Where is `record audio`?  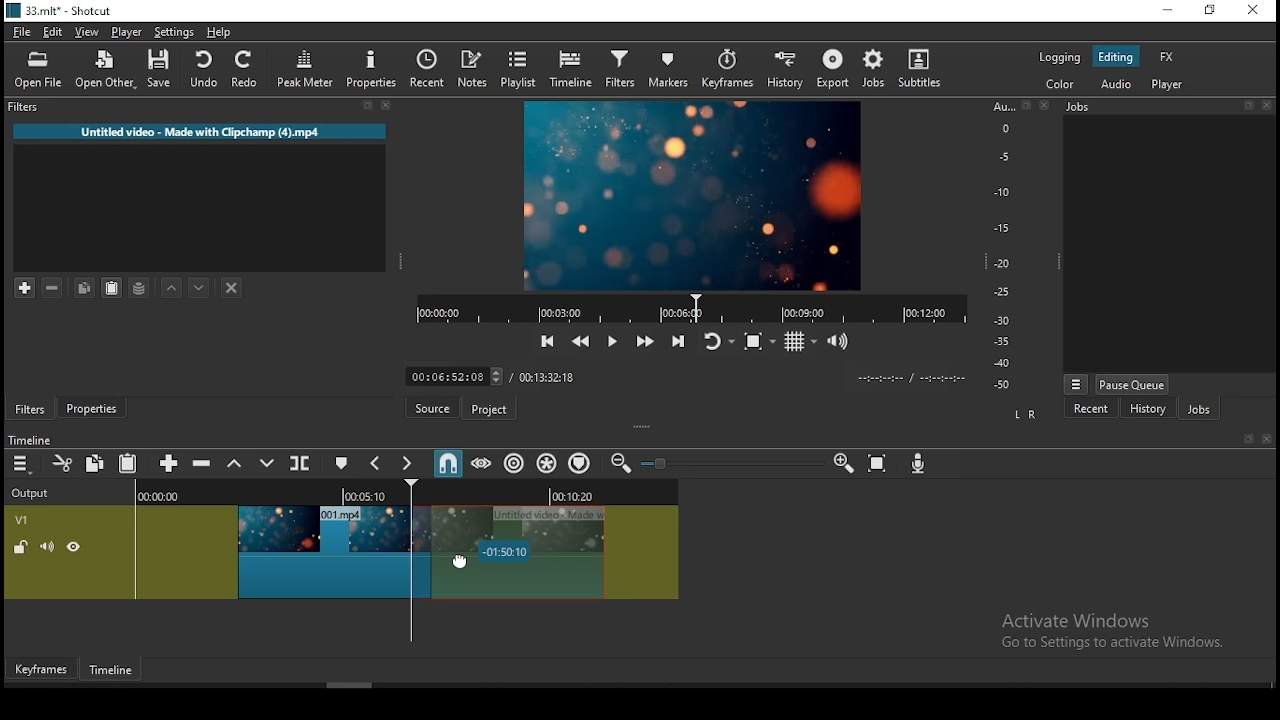 record audio is located at coordinates (920, 466).